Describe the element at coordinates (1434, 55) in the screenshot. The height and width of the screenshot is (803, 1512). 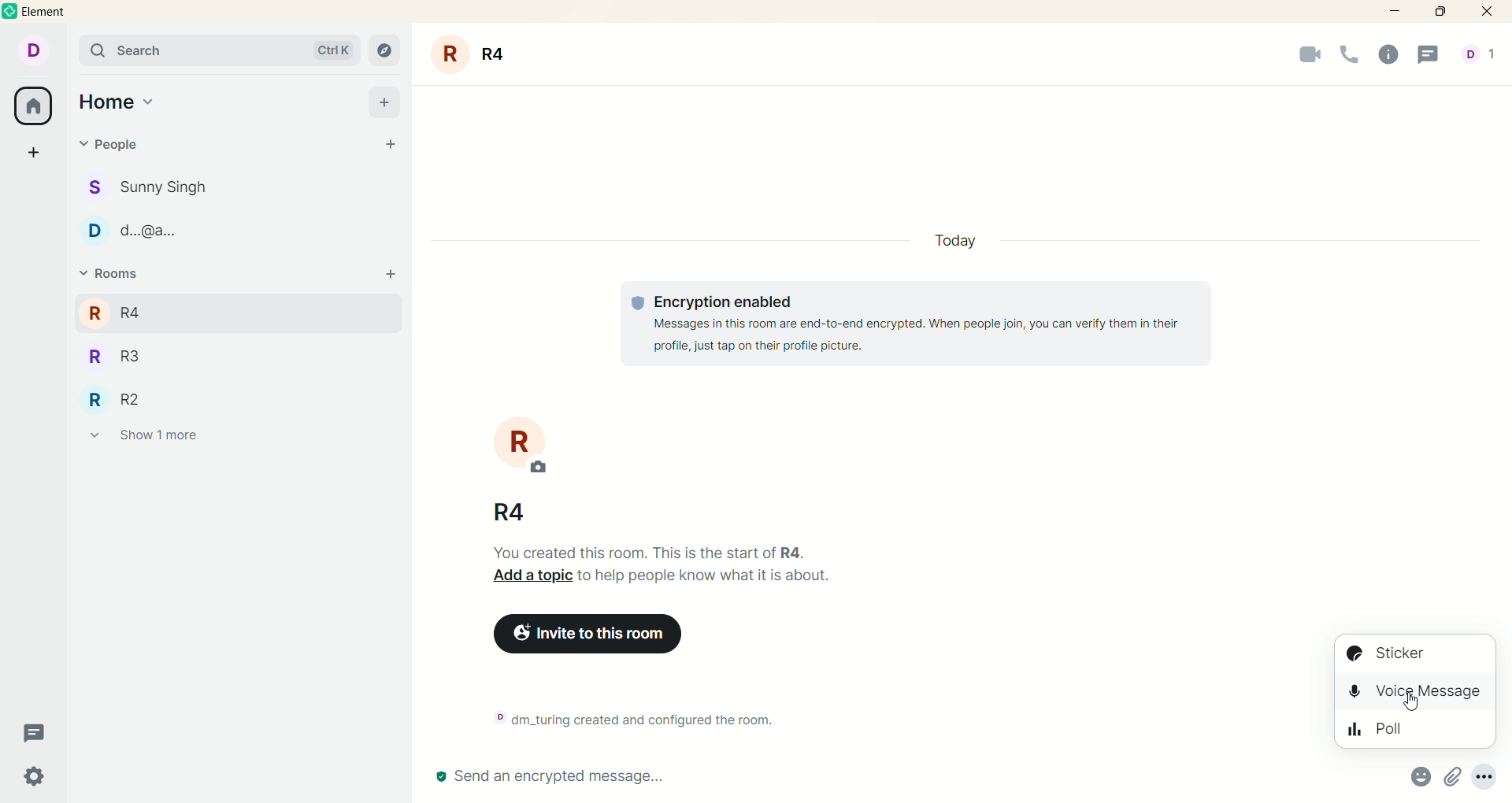
I see `threads` at that location.